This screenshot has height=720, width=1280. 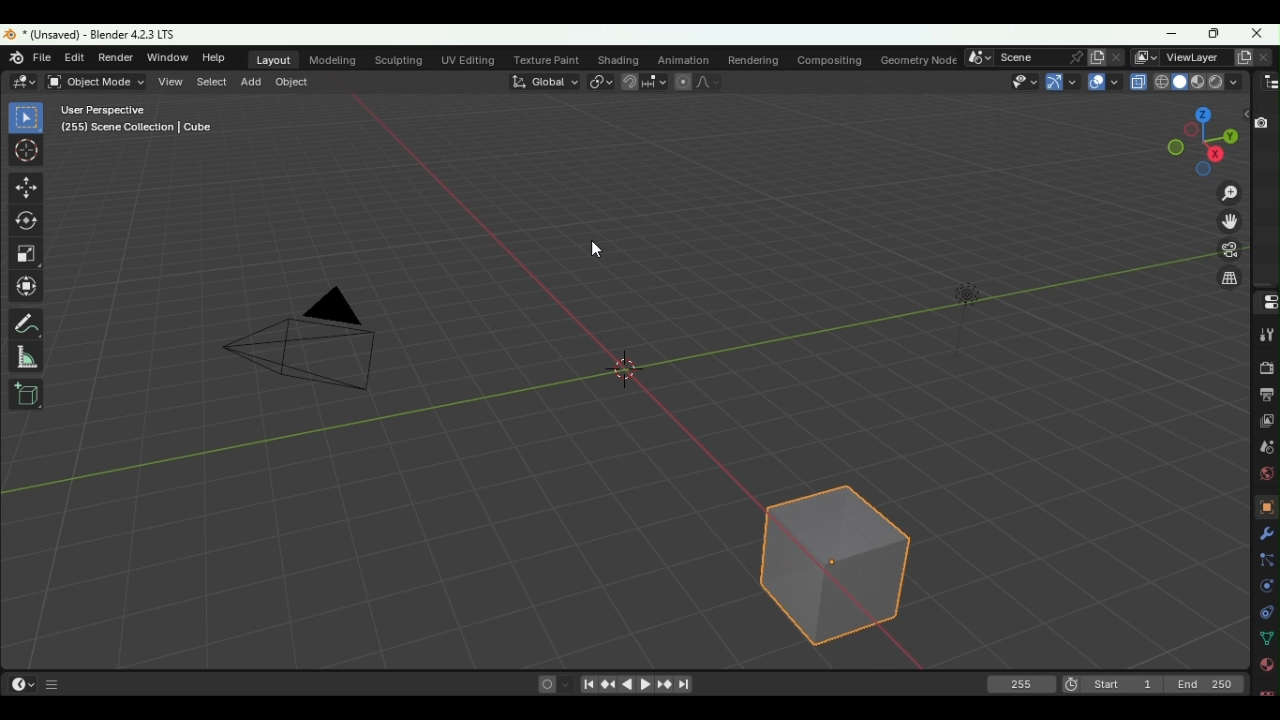 I want to click on Window, so click(x=164, y=57).